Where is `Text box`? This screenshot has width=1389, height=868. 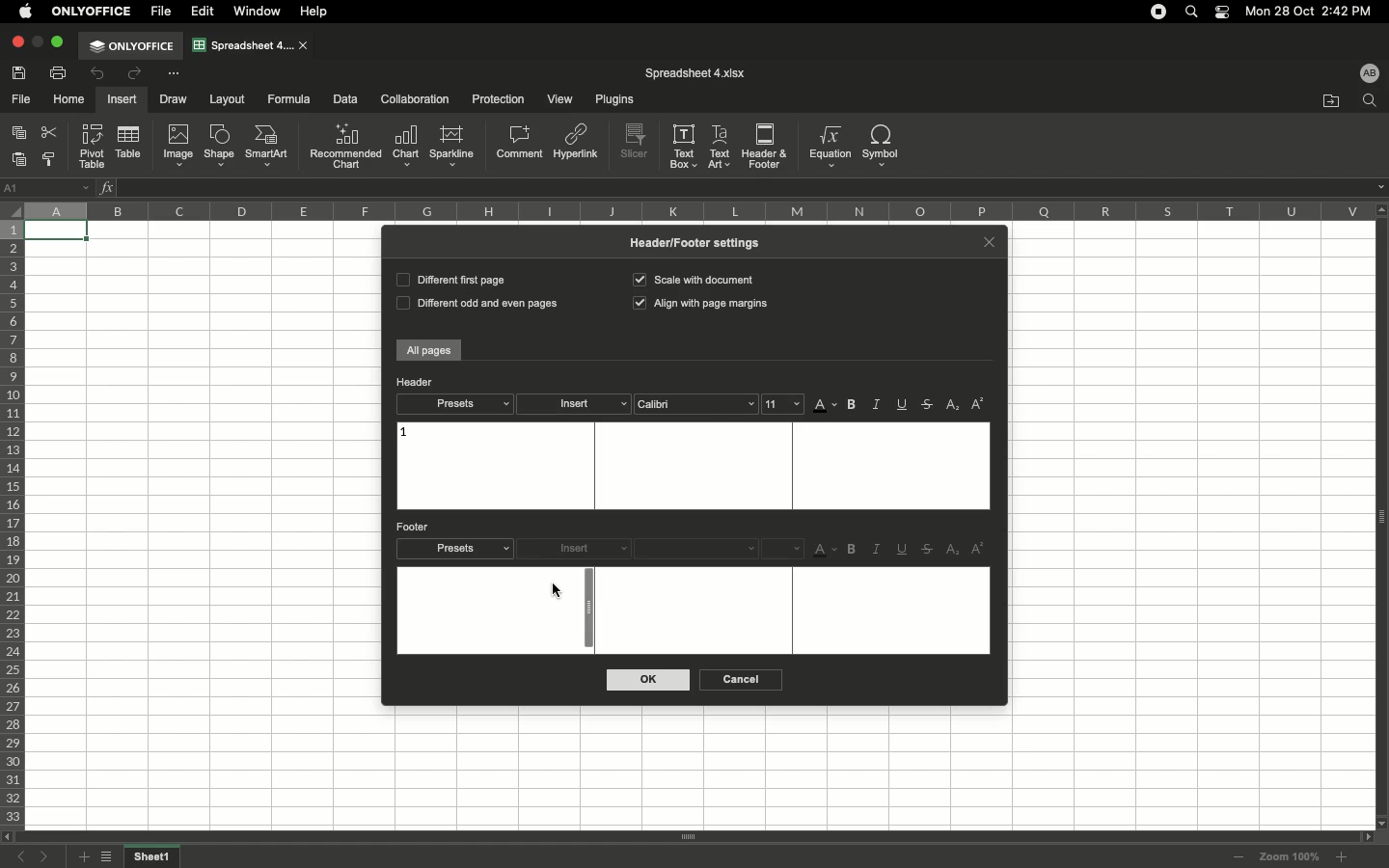
Text box is located at coordinates (684, 146).